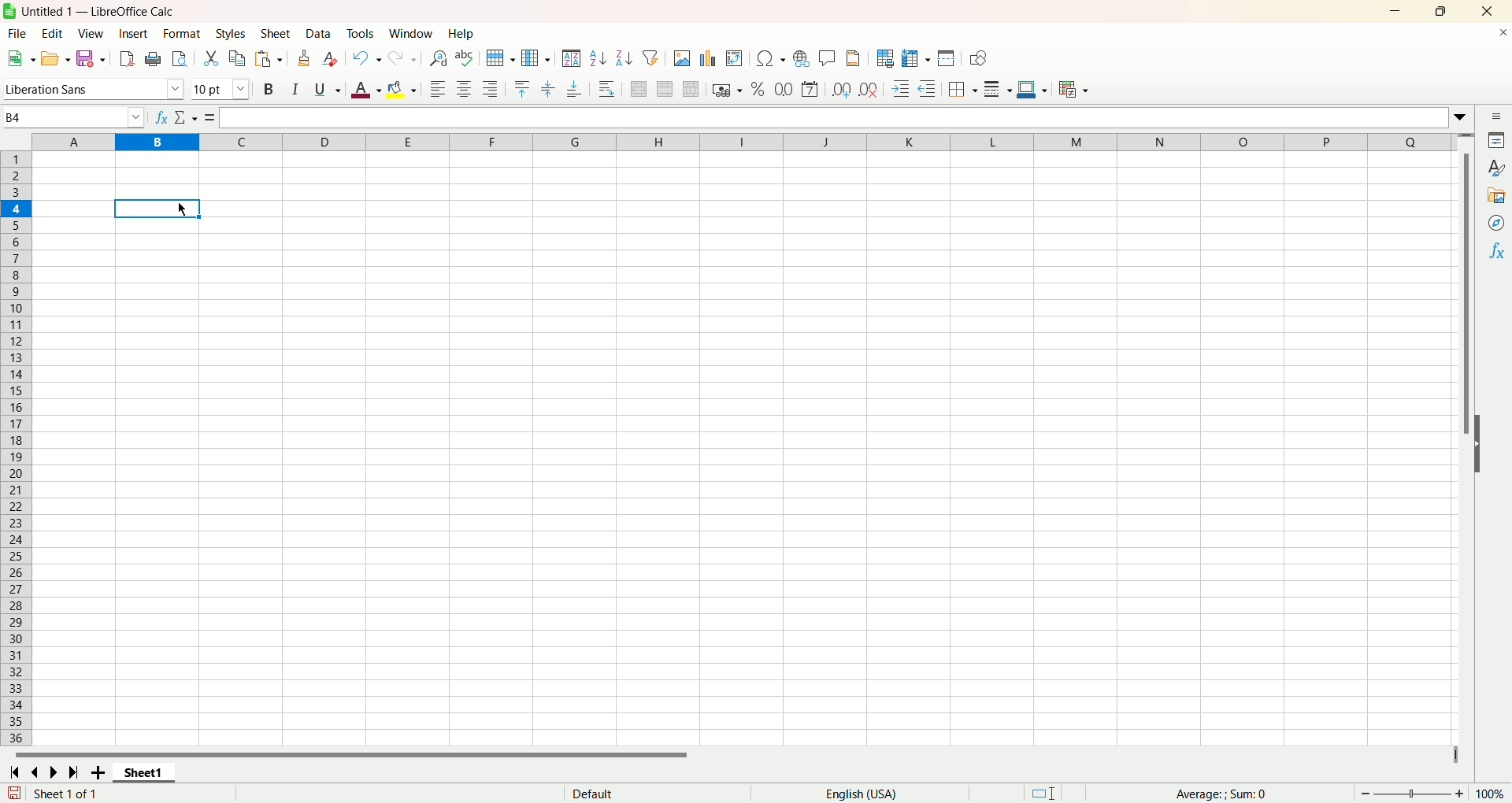 This screenshot has height=803, width=1512. Describe the element at coordinates (14, 35) in the screenshot. I see `file` at that location.